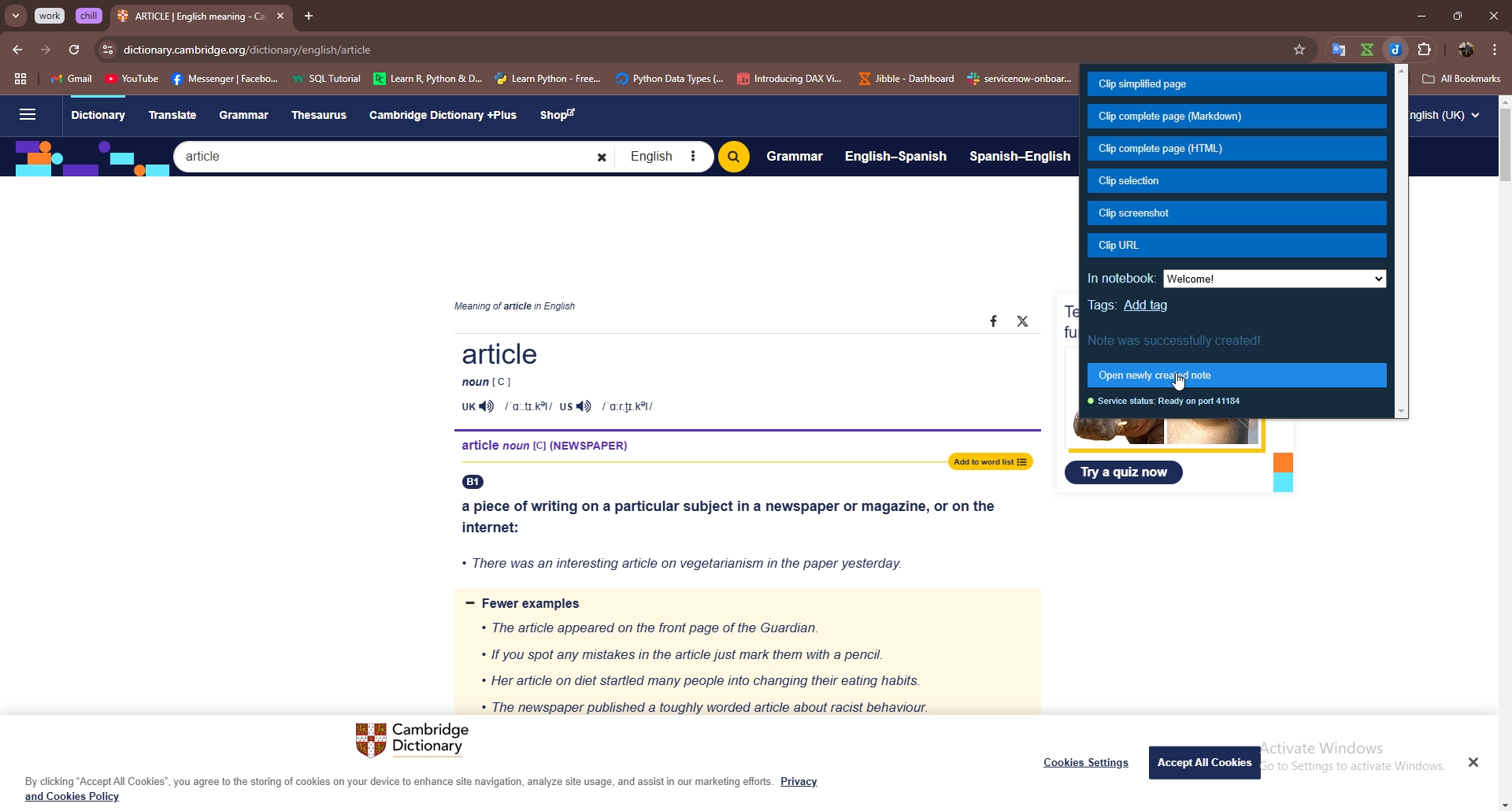 The width and height of the screenshot is (1512, 811). What do you see at coordinates (1421, 15) in the screenshot?
I see `minimize` at bounding box center [1421, 15].